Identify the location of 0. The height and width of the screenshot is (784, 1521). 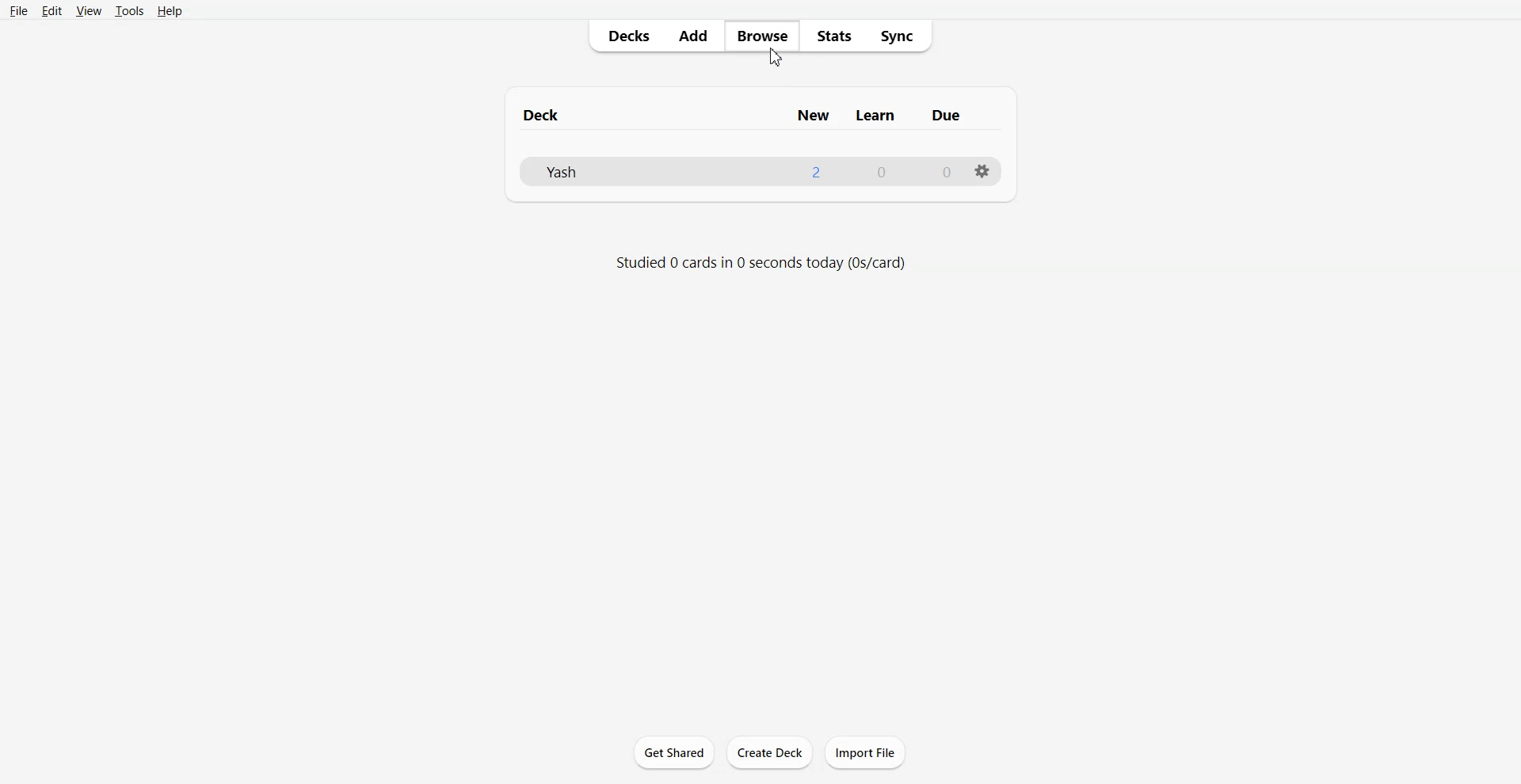
(939, 170).